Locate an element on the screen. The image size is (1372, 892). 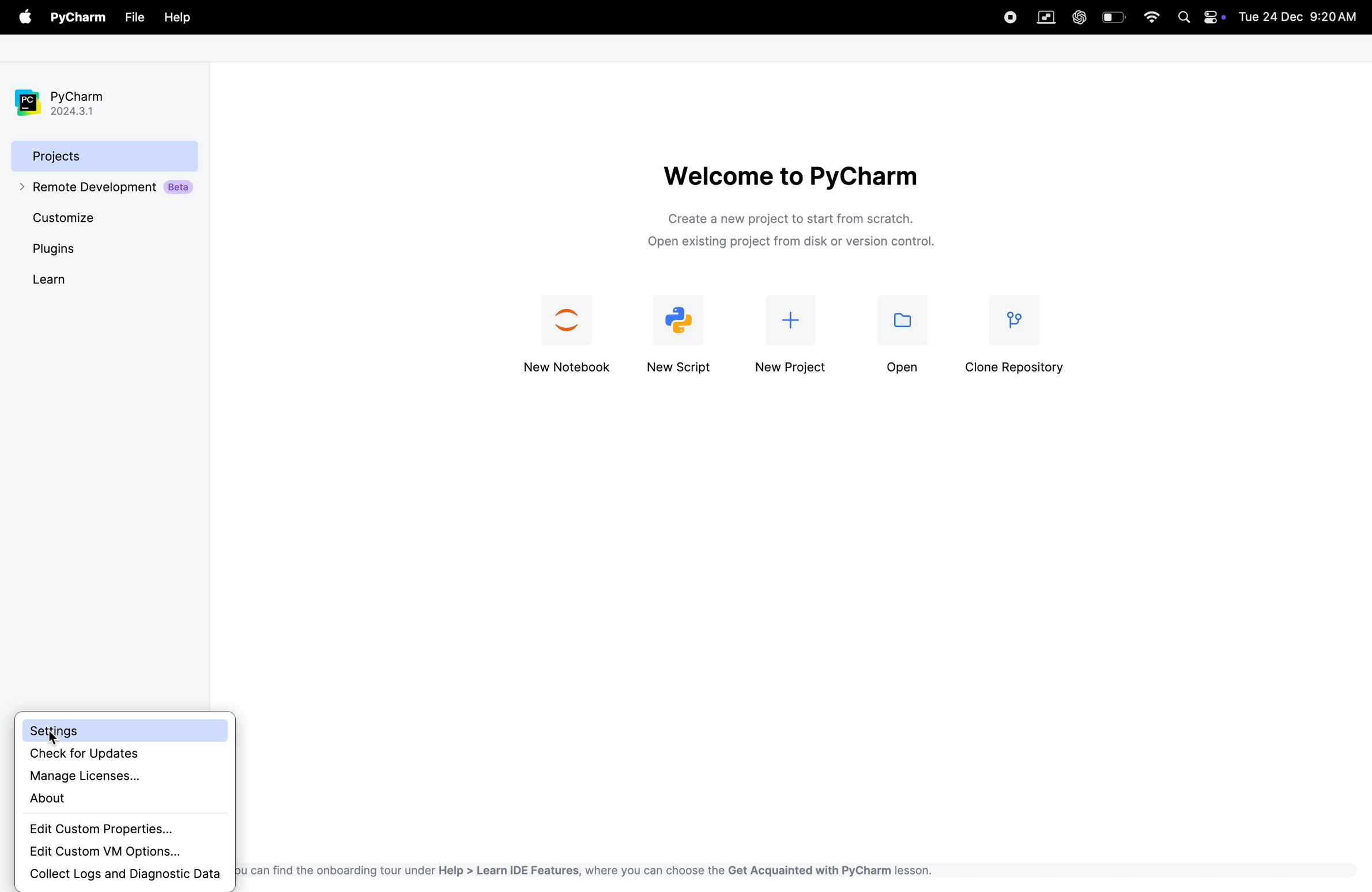
new project is located at coordinates (793, 339).